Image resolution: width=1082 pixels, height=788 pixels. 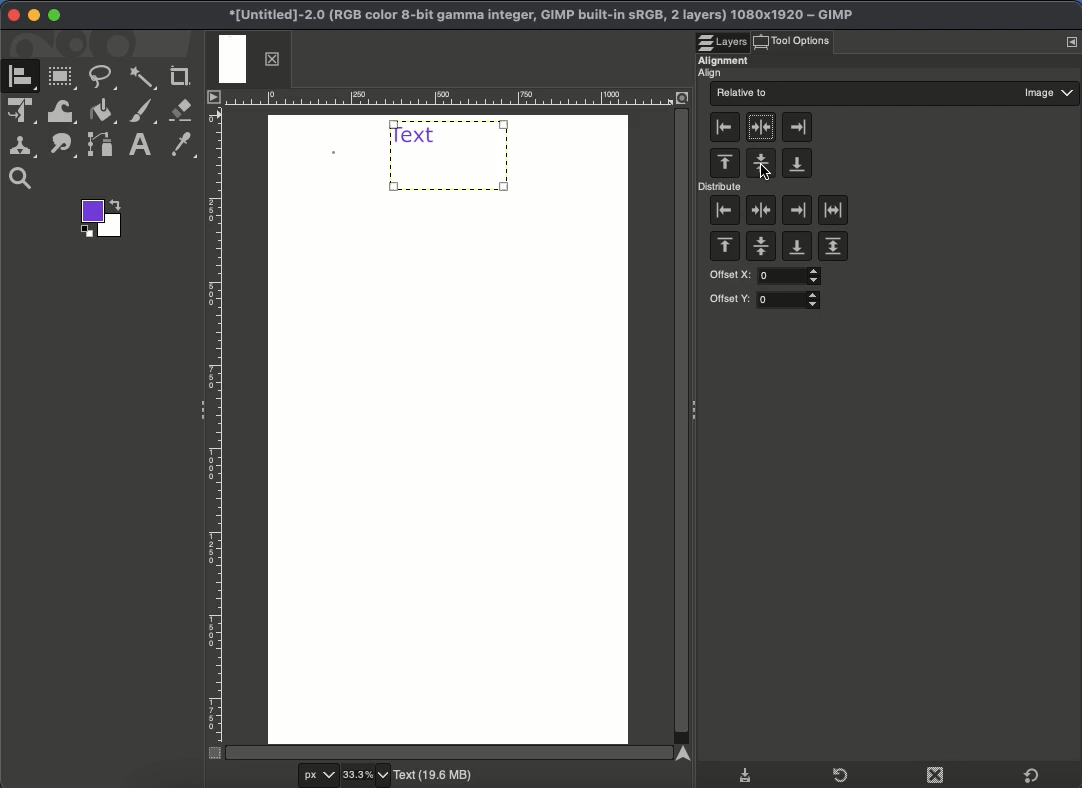 What do you see at coordinates (145, 77) in the screenshot?
I see `Fuzzy select tool` at bounding box center [145, 77].